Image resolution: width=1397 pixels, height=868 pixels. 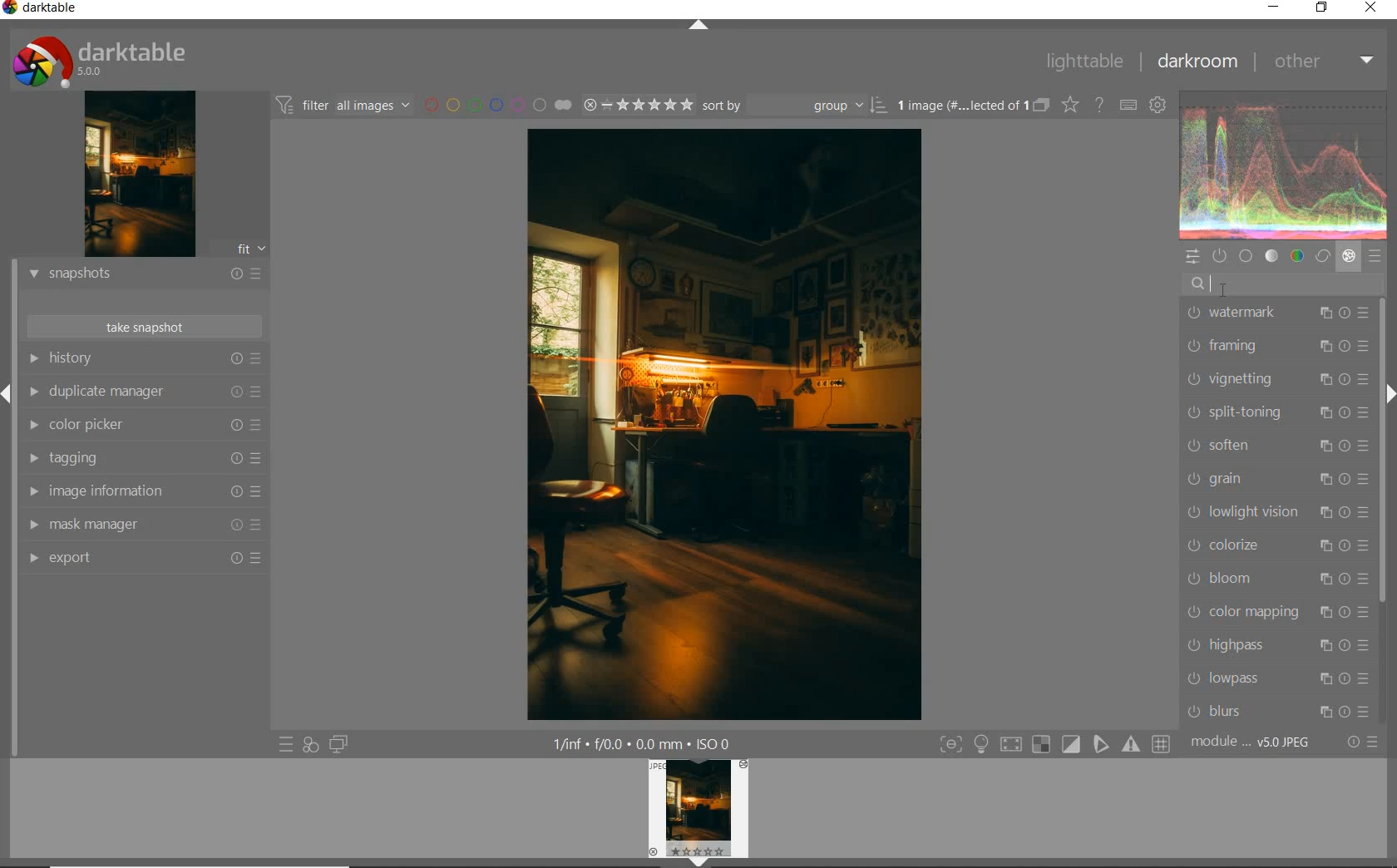 I want to click on bloom, so click(x=1277, y=578).